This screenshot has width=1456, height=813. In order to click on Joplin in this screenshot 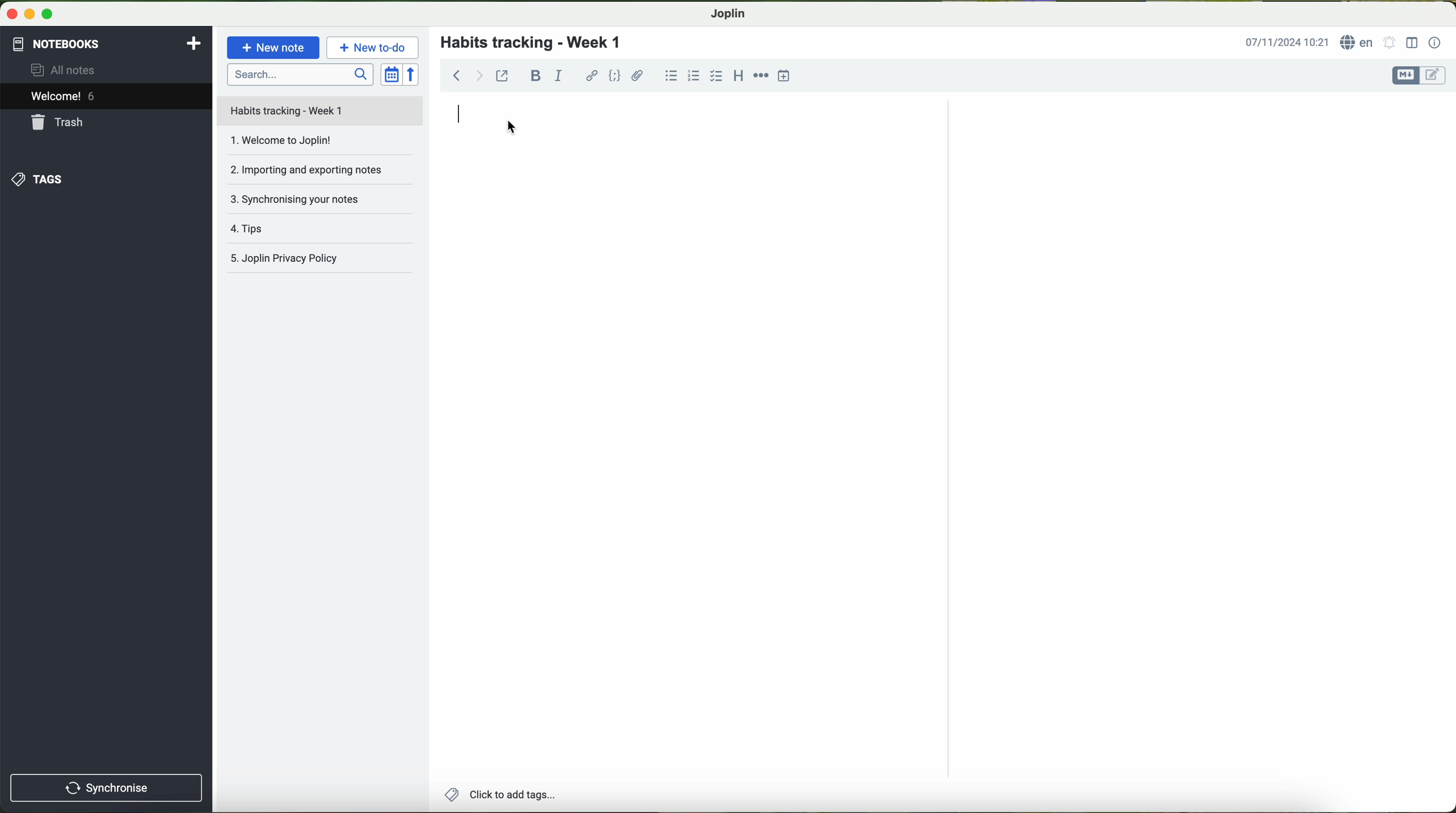, I will do `click(727, 14)`.